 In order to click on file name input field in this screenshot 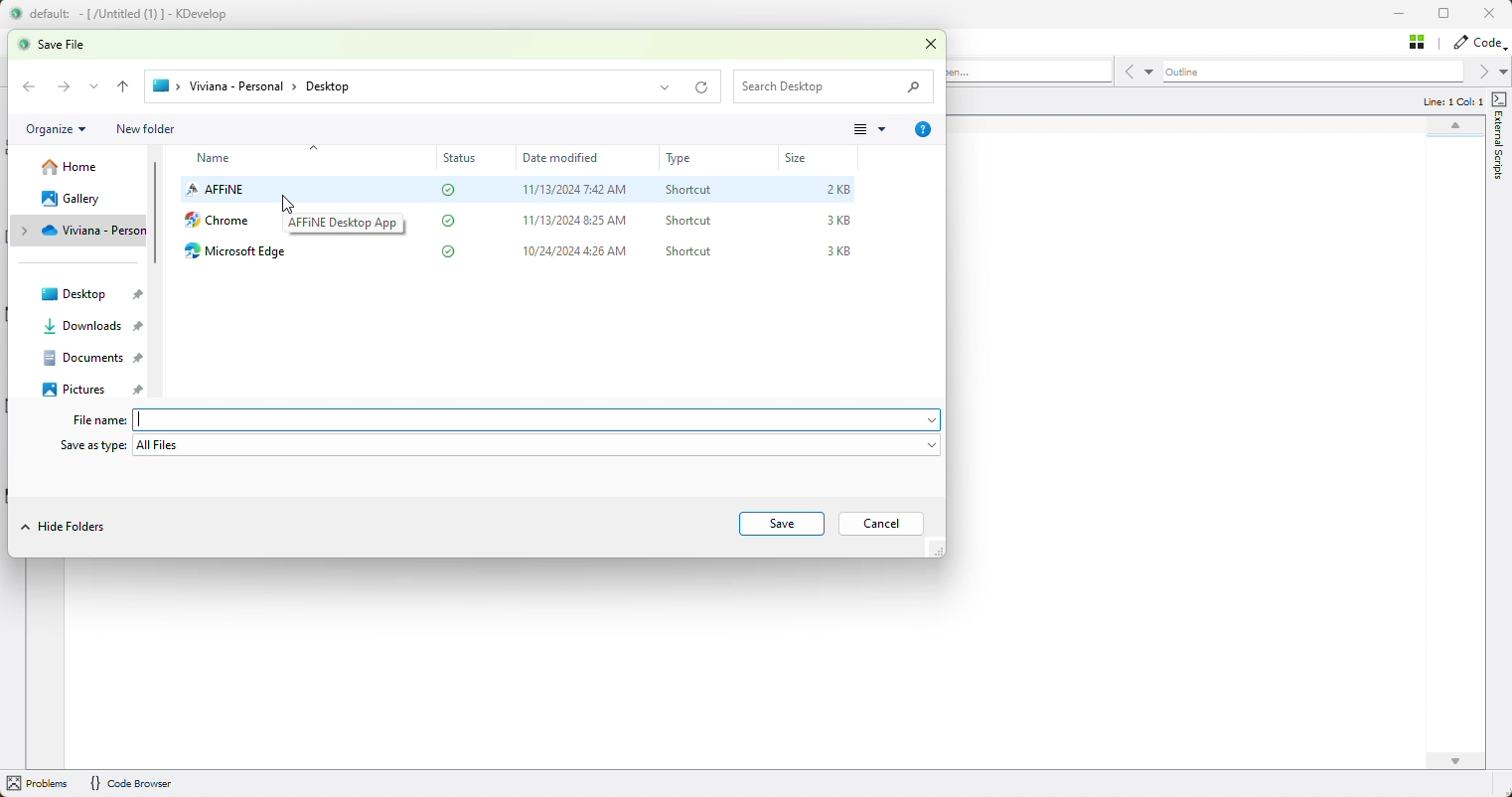, I will do `click(540, 418)`.